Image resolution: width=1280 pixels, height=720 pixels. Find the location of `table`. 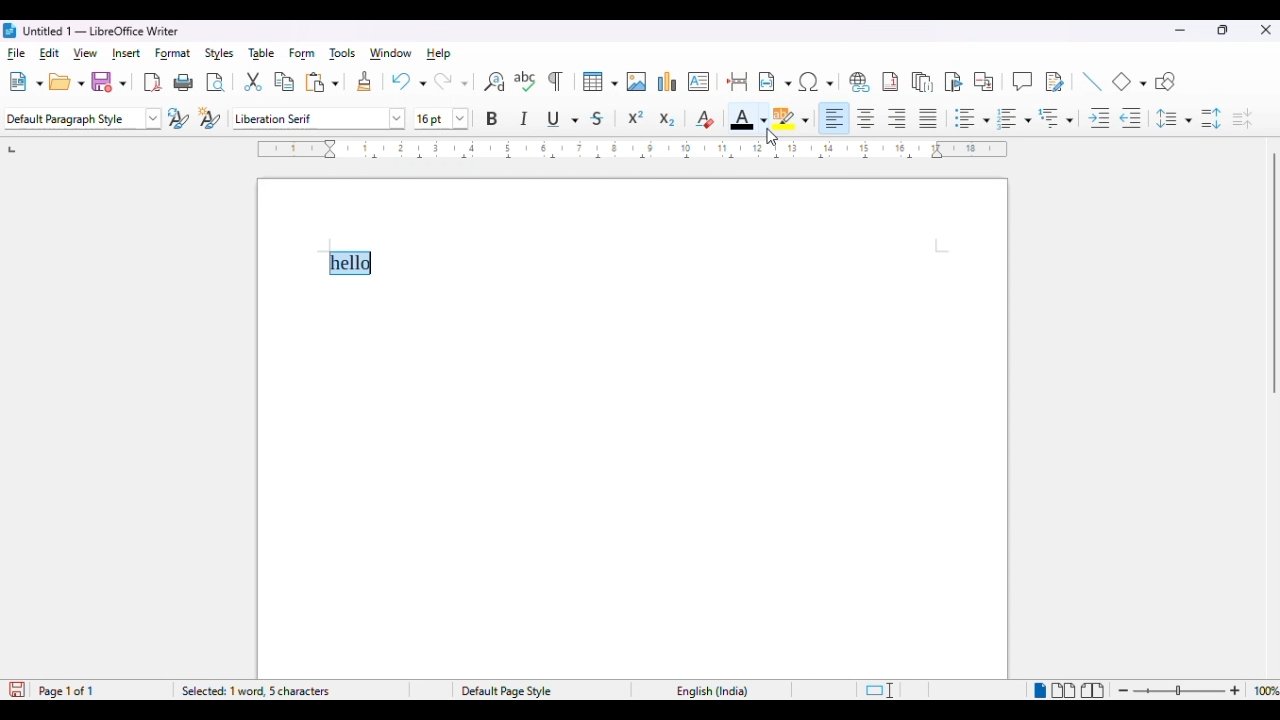

table is located at coordinates (263, 53).